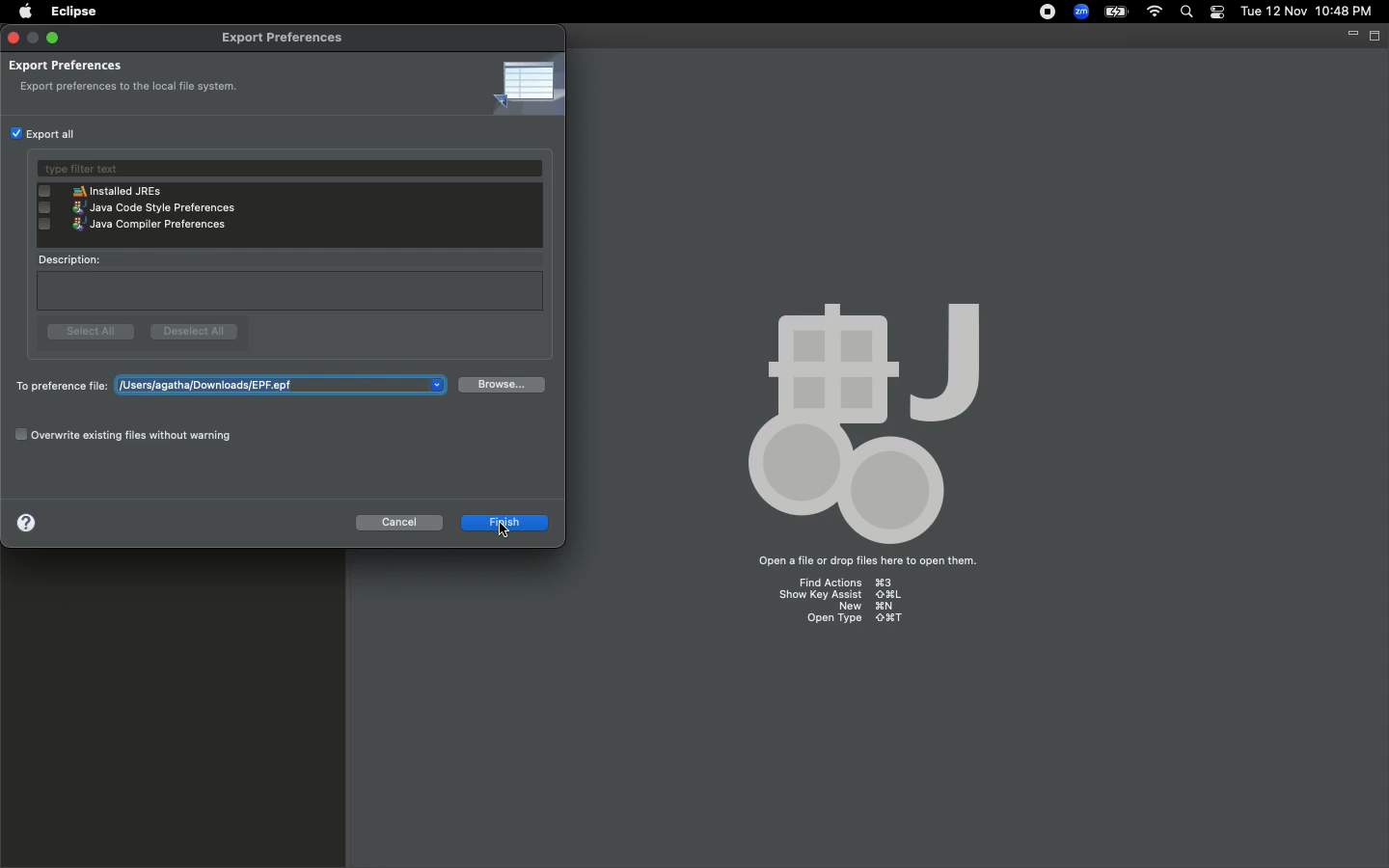 The height and width of the screenshot is (868, 1389). Describe the element at coordinates (398, 523) in the screenshot. I see `Cancel` at that location.